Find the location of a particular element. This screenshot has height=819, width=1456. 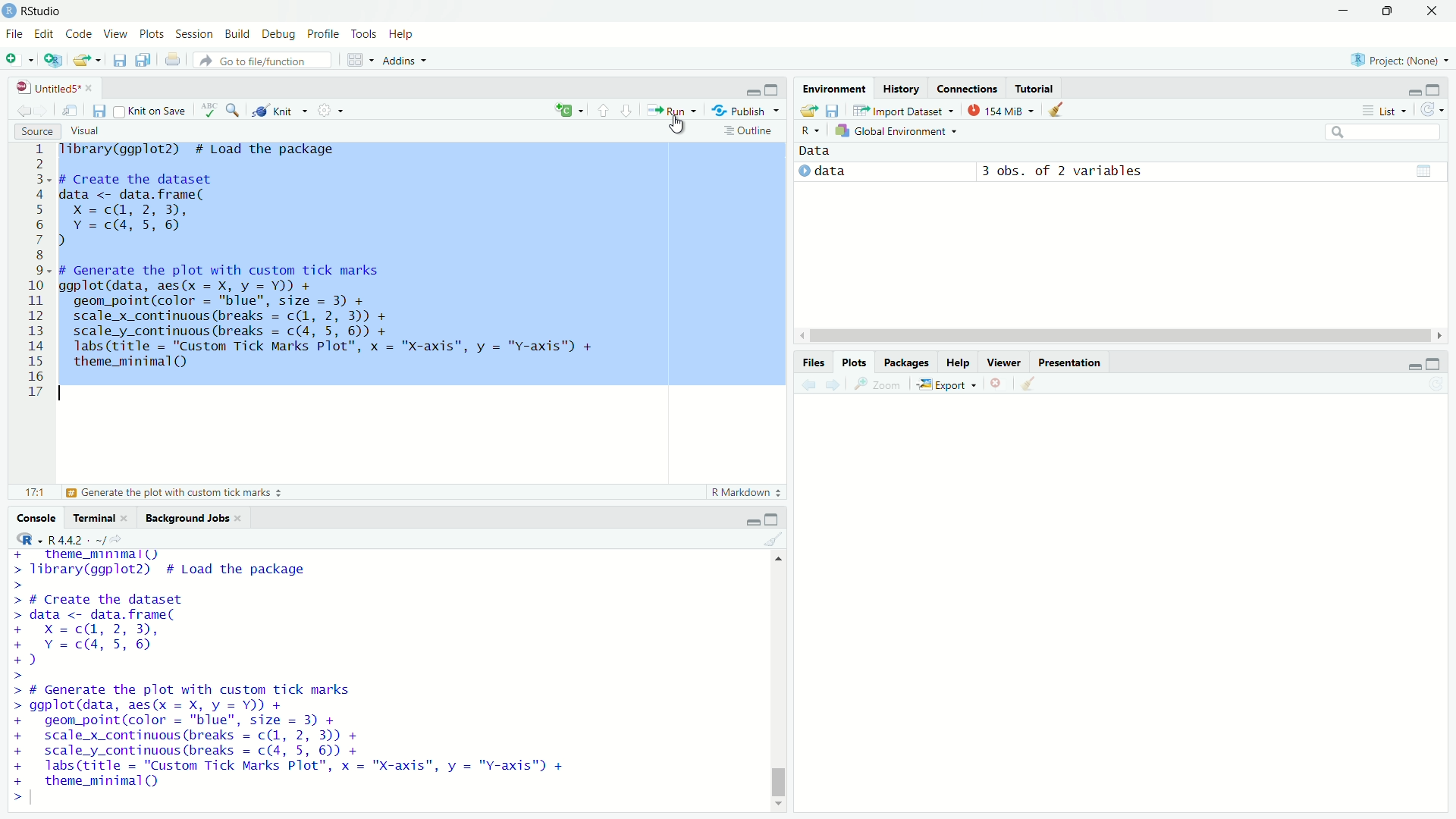

history is located at coordinates (899, 87).